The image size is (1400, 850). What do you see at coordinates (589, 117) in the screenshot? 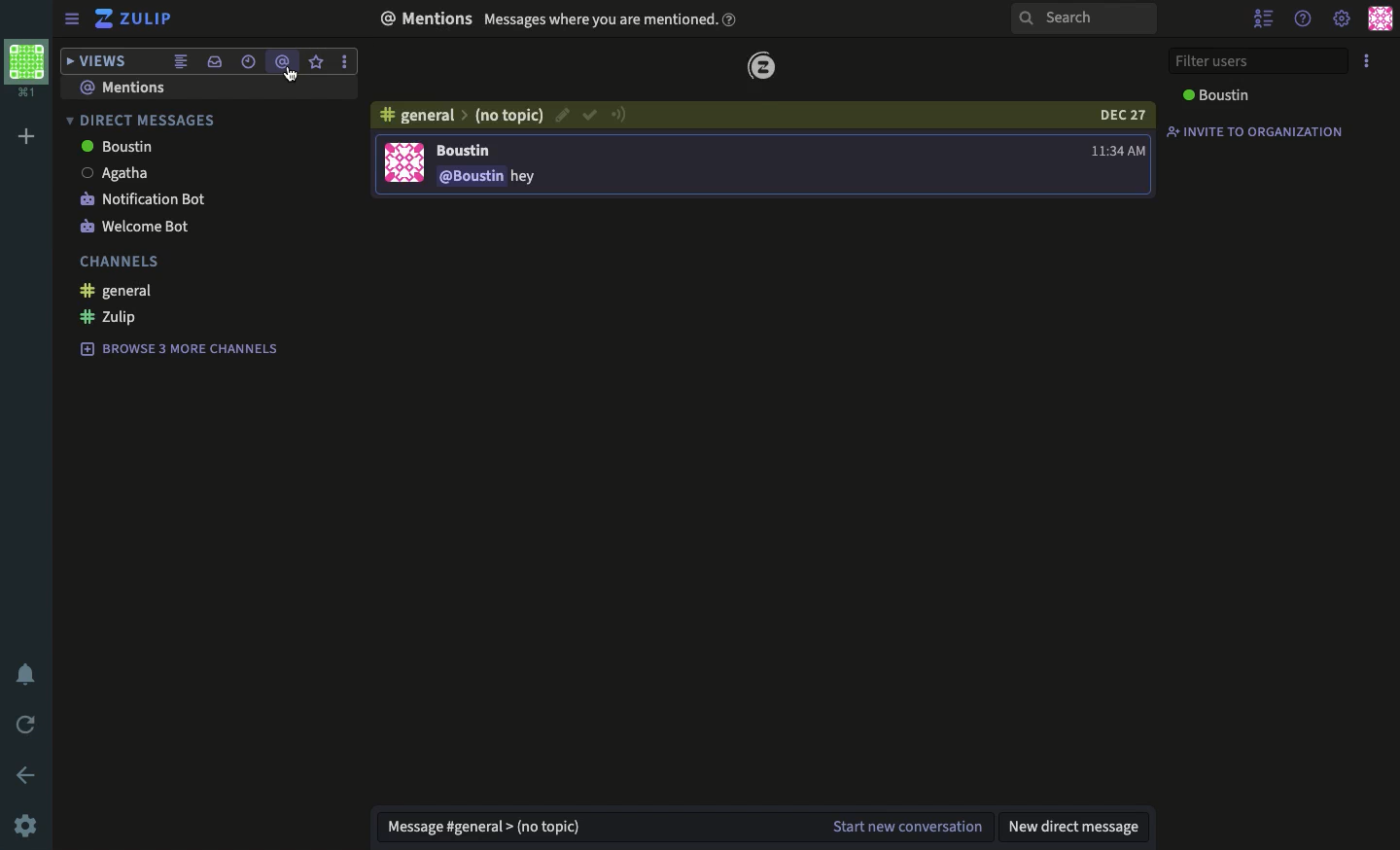
I see `confirm` at bounding box center [589, 117].